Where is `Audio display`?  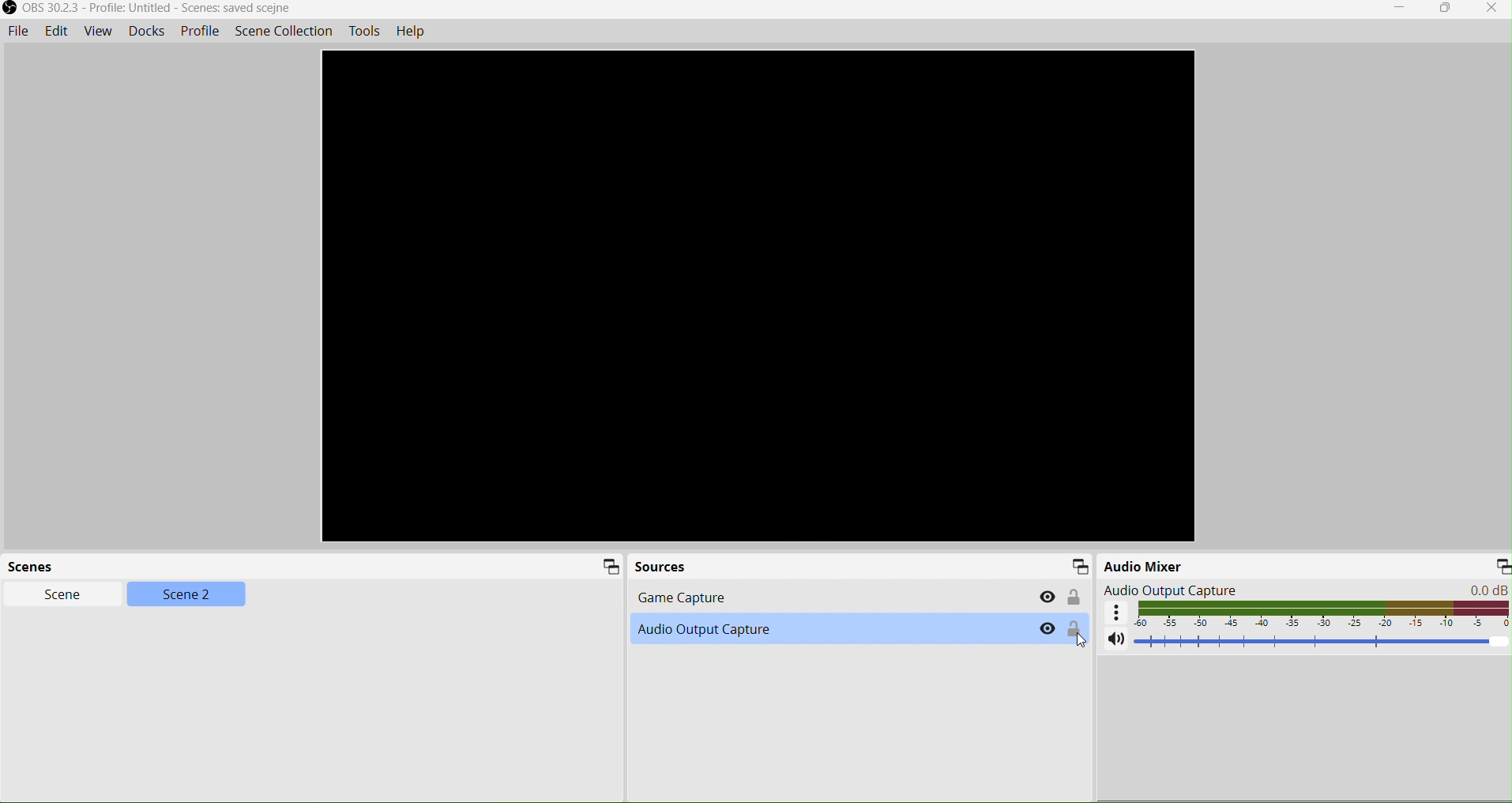
Audio display is located at coordinates (1321, 614).